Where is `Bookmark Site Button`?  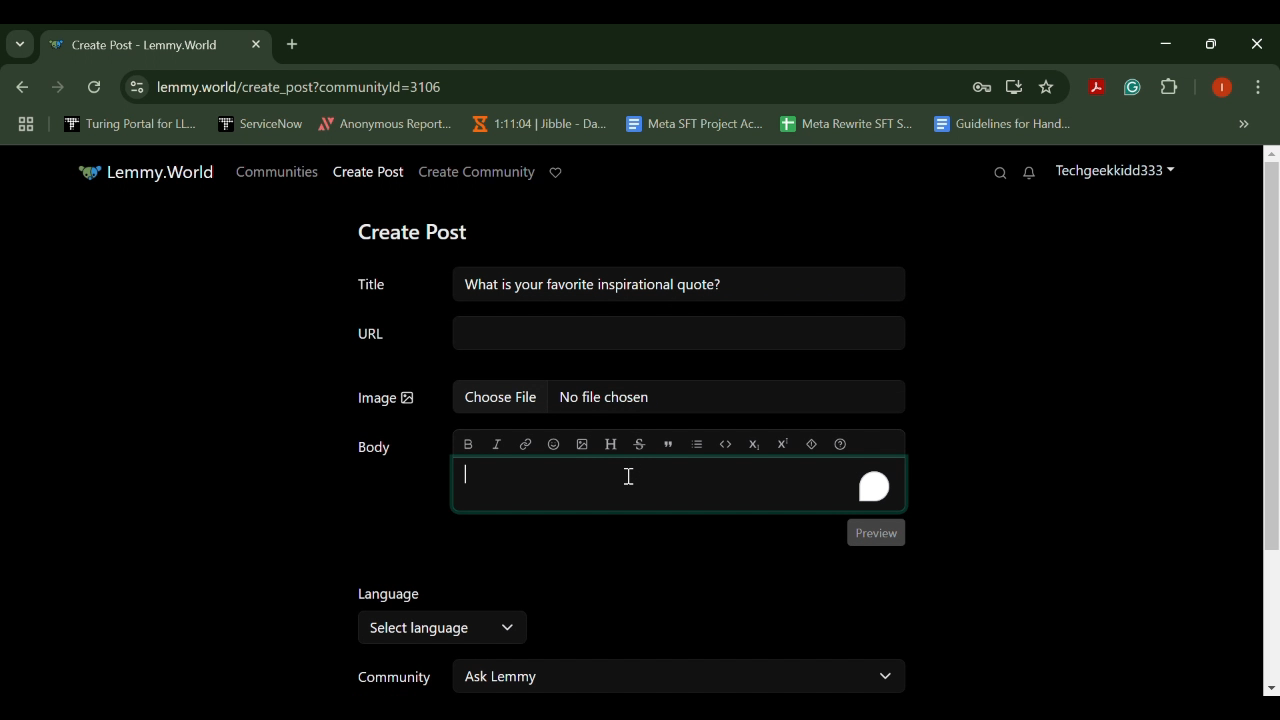
Bookmark Site Button is located at coordinates (1046, 88).